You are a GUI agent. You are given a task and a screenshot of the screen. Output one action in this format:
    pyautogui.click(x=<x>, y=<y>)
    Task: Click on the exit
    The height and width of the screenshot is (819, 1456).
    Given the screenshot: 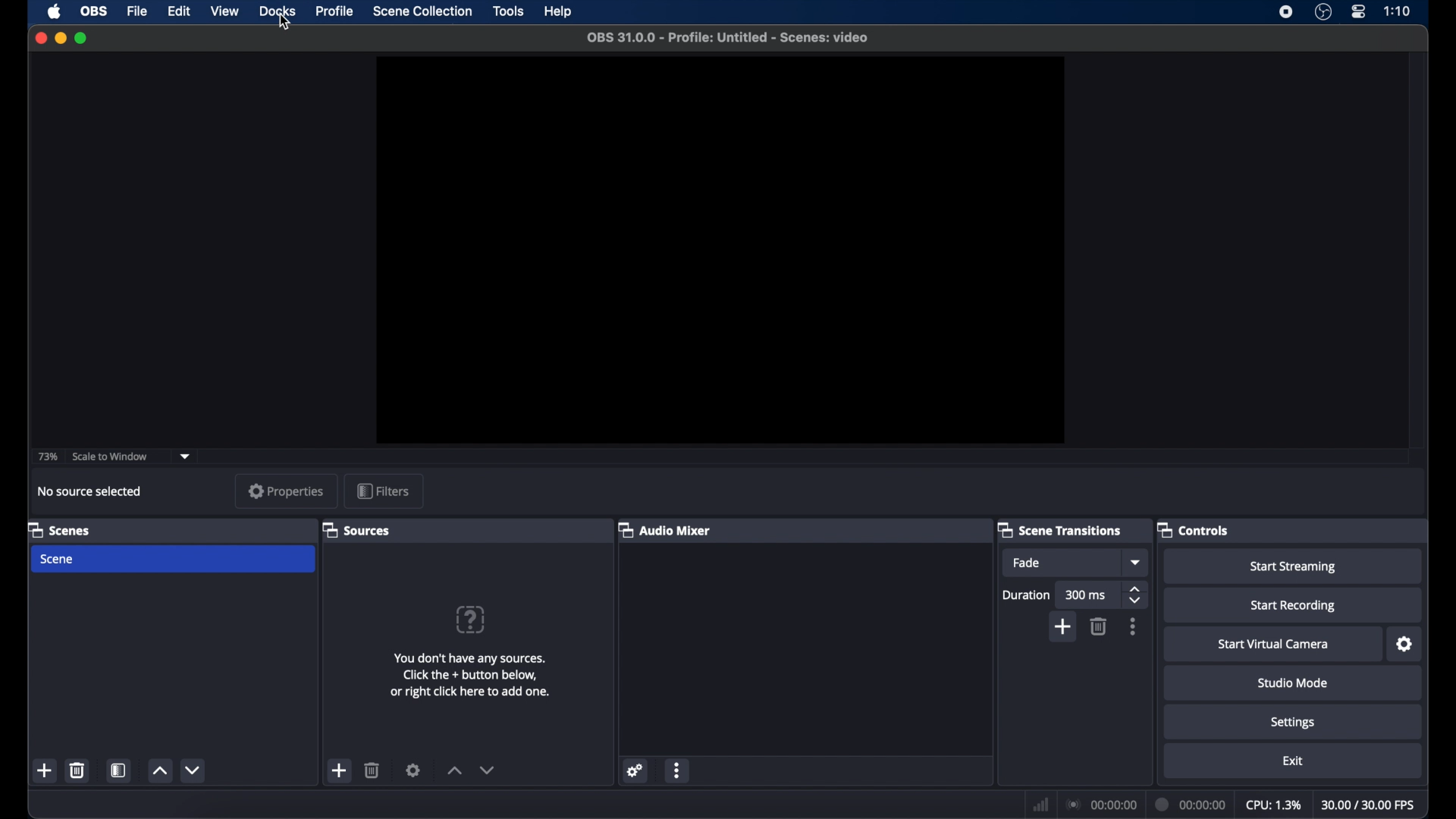 What is the action you would take?
    pyautogui.click(x=1292, y=760)
    